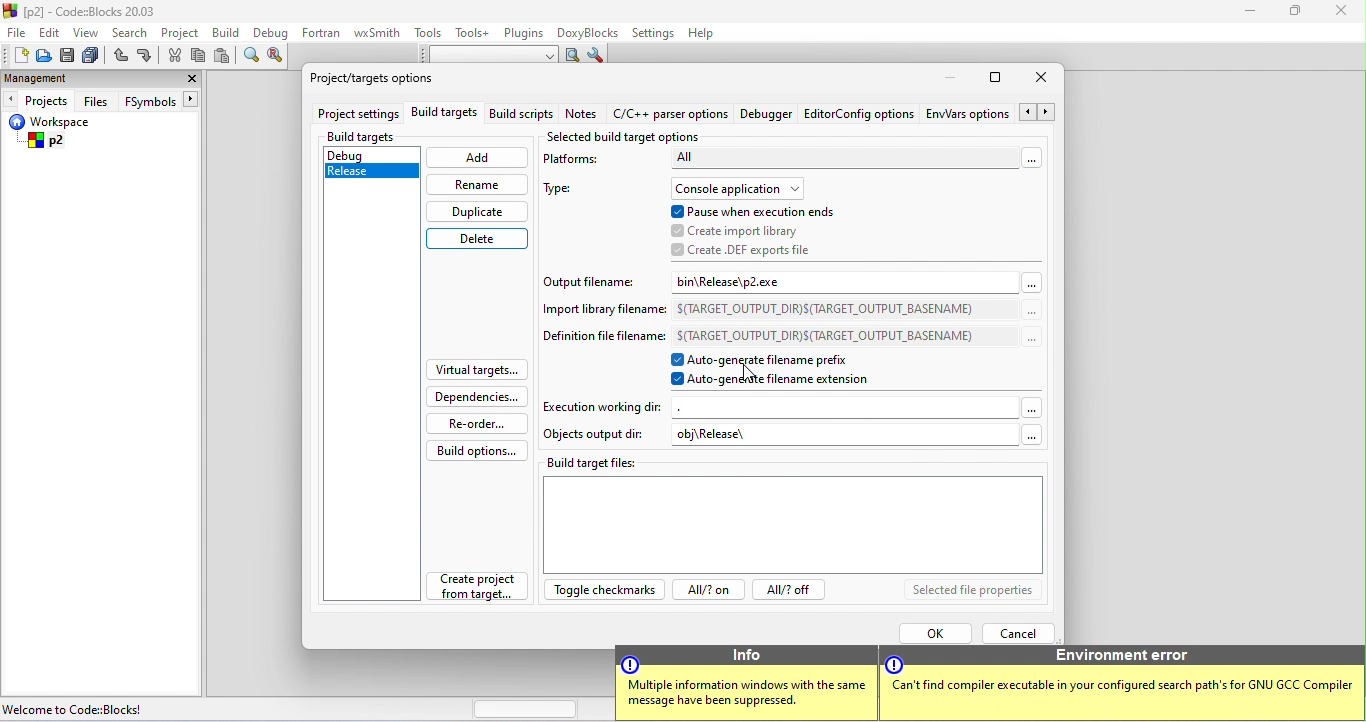  I want to click on build options, so click(478, 450).